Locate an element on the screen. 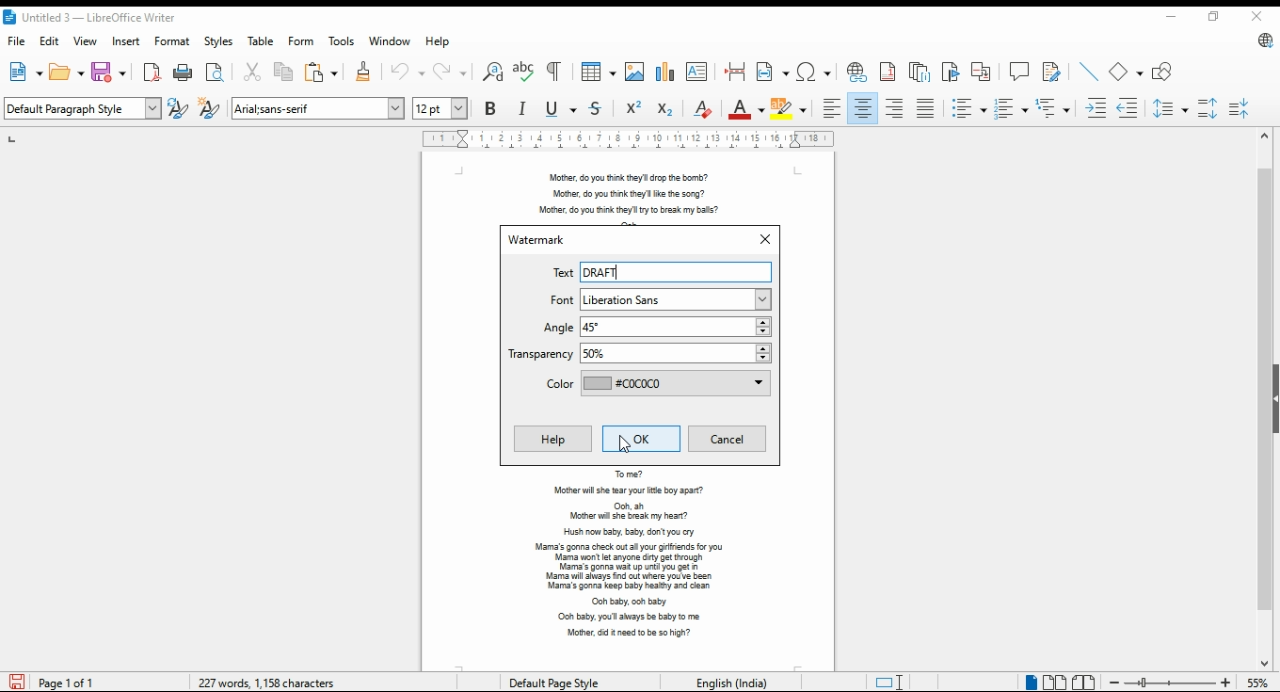  insert cross-reference is located at coordinates (981, 72).